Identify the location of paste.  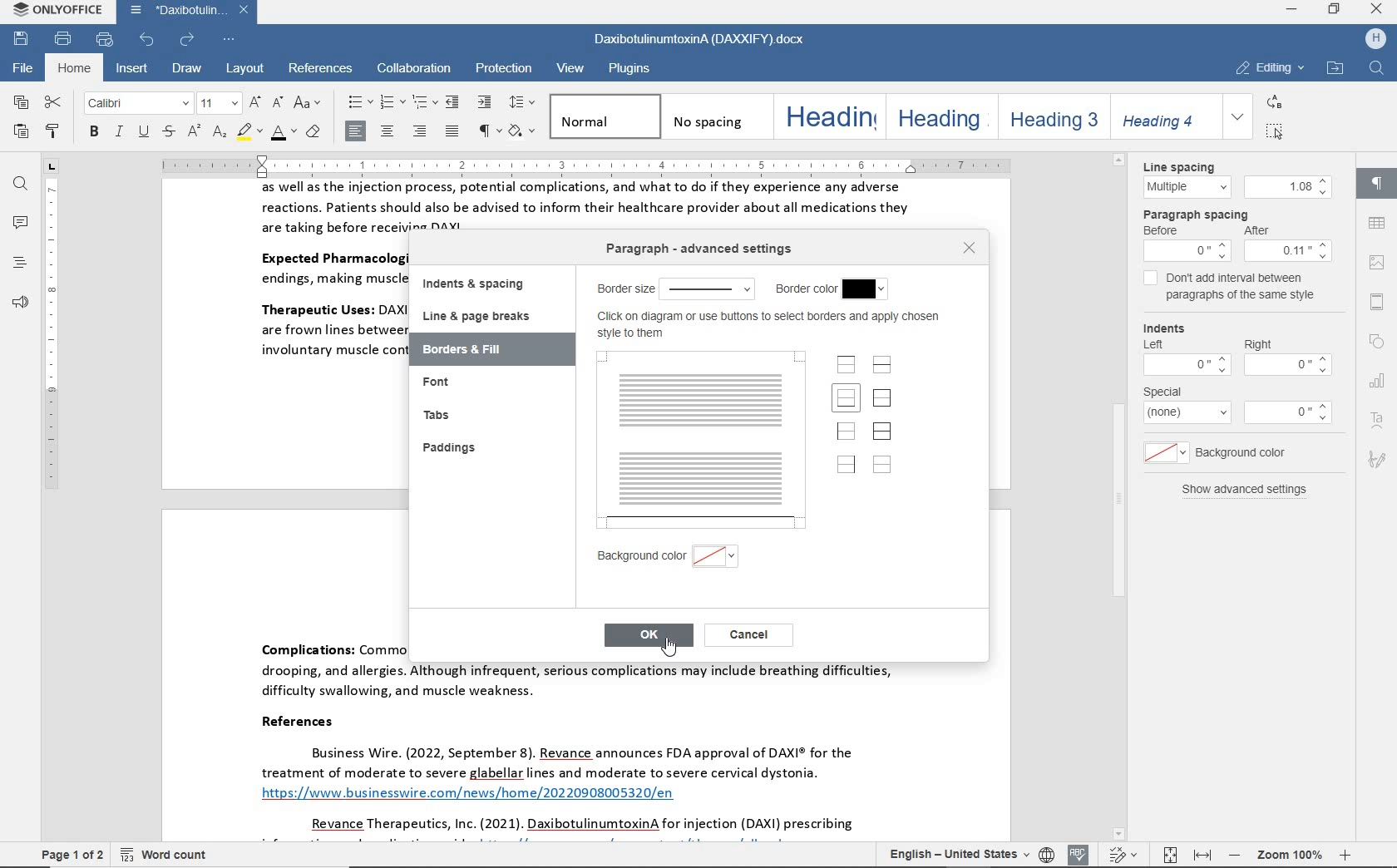
(22, 133).